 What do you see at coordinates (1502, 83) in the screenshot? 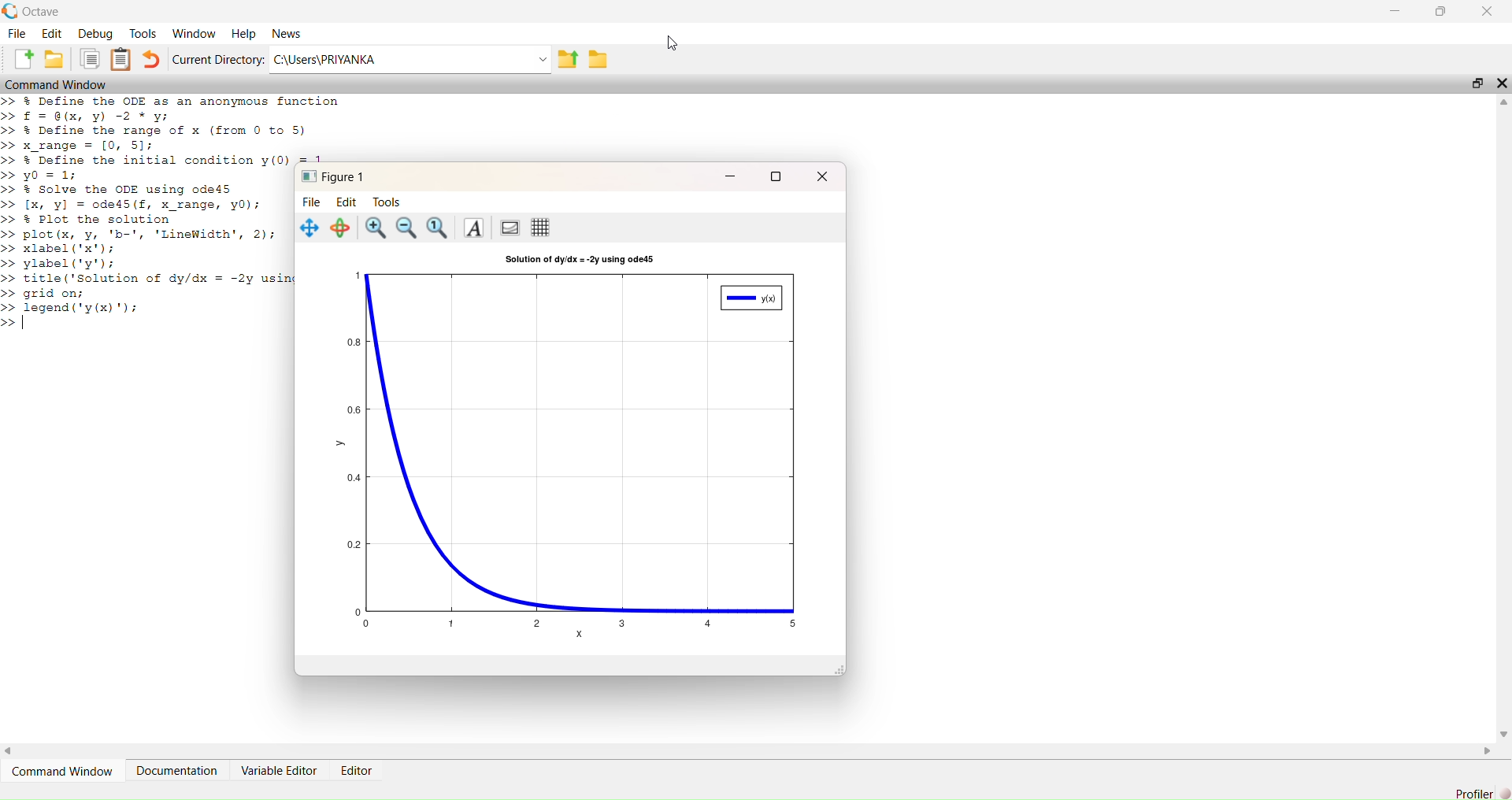
I see `Hide Widget` at bounding box center [1502, 83].